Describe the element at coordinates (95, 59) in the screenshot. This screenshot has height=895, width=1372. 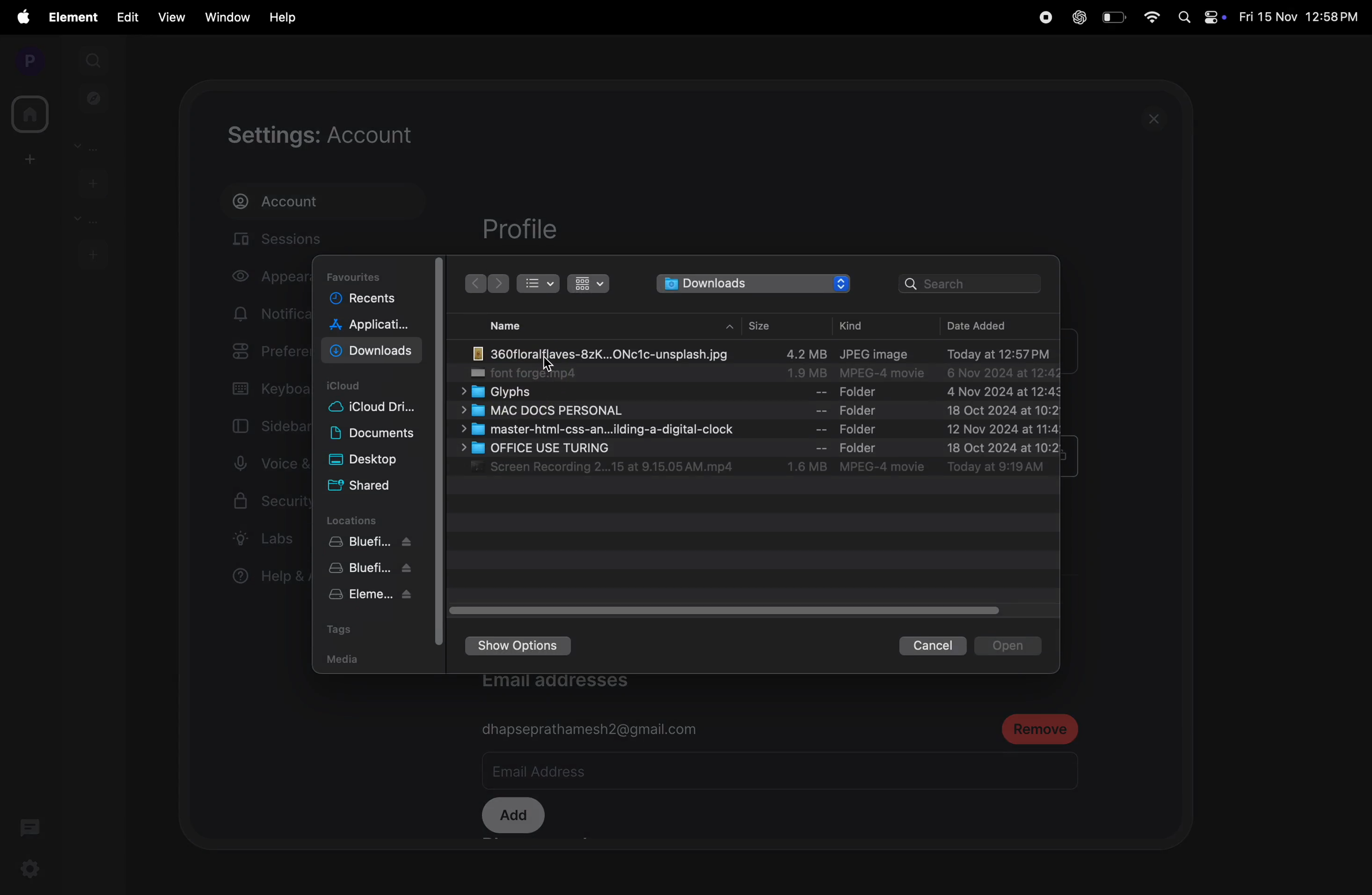
I see `search1` at that location.